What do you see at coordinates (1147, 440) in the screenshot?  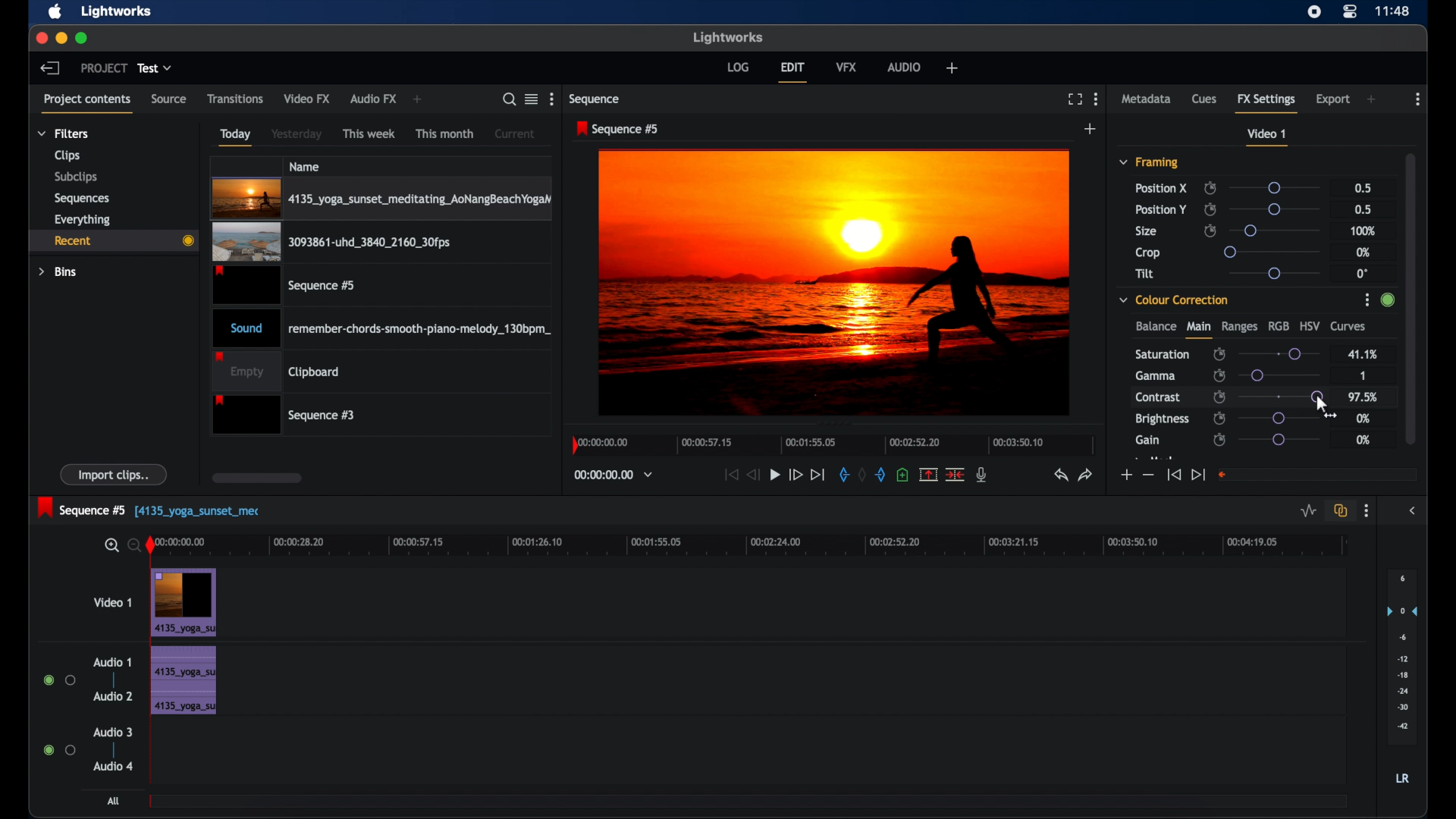 I see `gain` at bounding box center [1147, 440].